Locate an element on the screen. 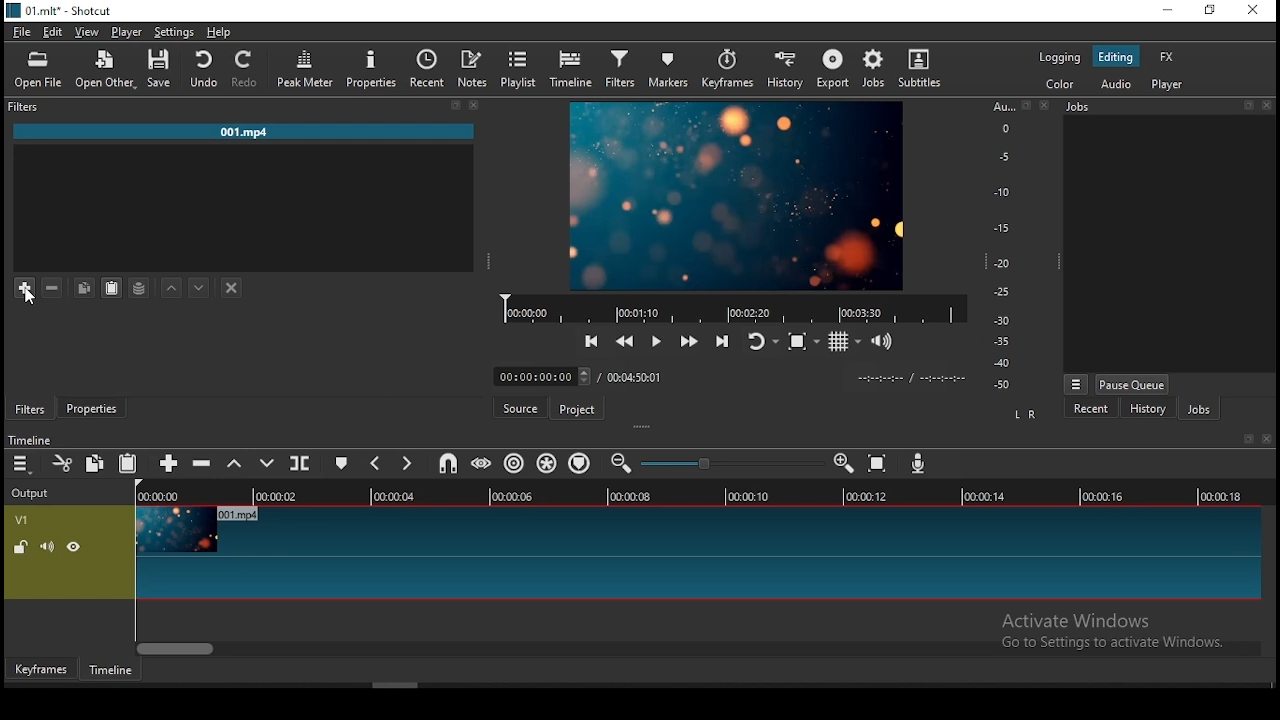  zoom timeline is located at coordinates (839, 463).